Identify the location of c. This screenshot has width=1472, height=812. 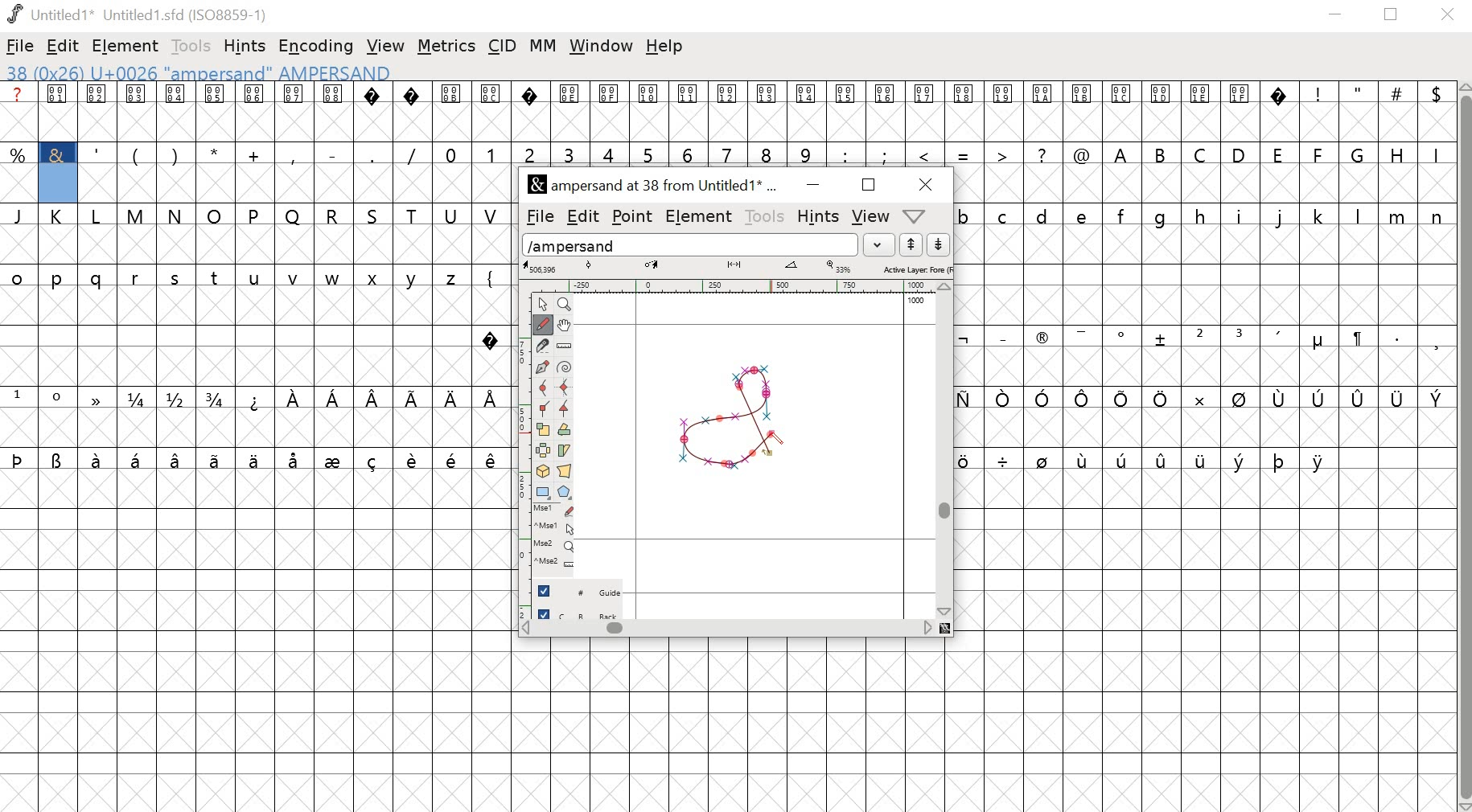
(1005, 215).